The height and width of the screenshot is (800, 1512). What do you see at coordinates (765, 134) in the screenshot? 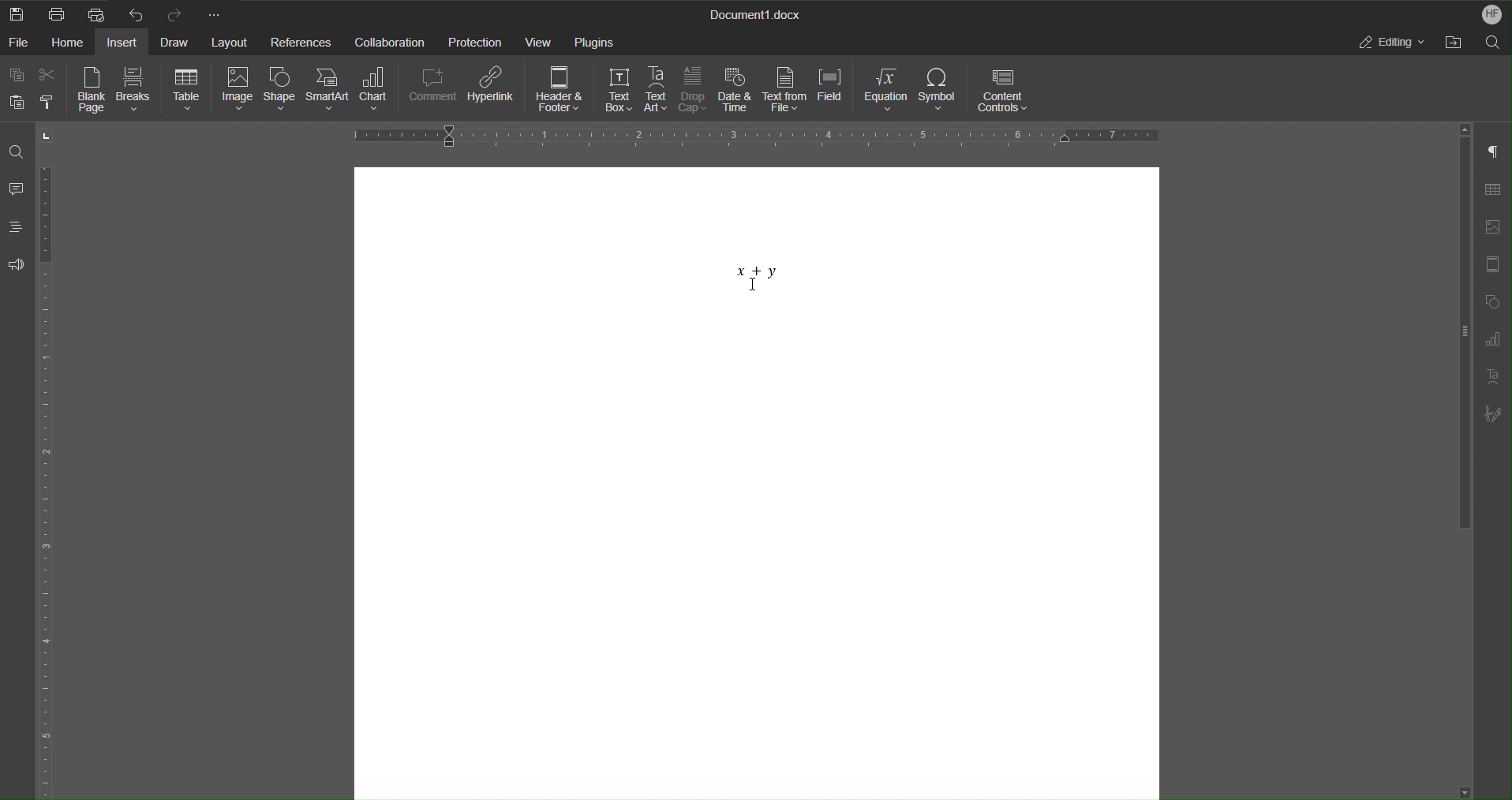
I see `Horizontal Ruler` at bounding box center [765, 134].